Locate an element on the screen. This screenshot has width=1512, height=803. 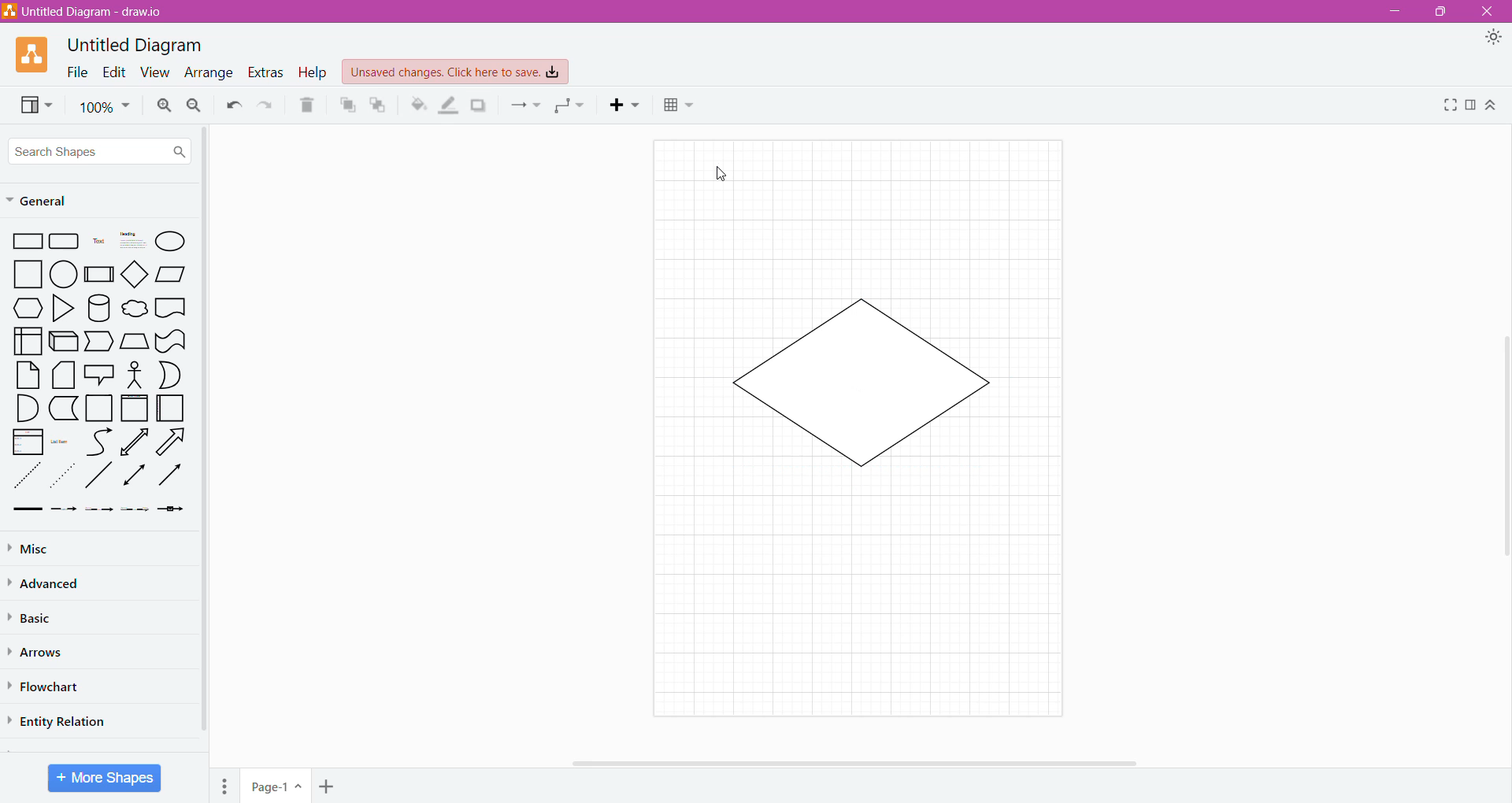
Line is located at coordinates (98, 478).